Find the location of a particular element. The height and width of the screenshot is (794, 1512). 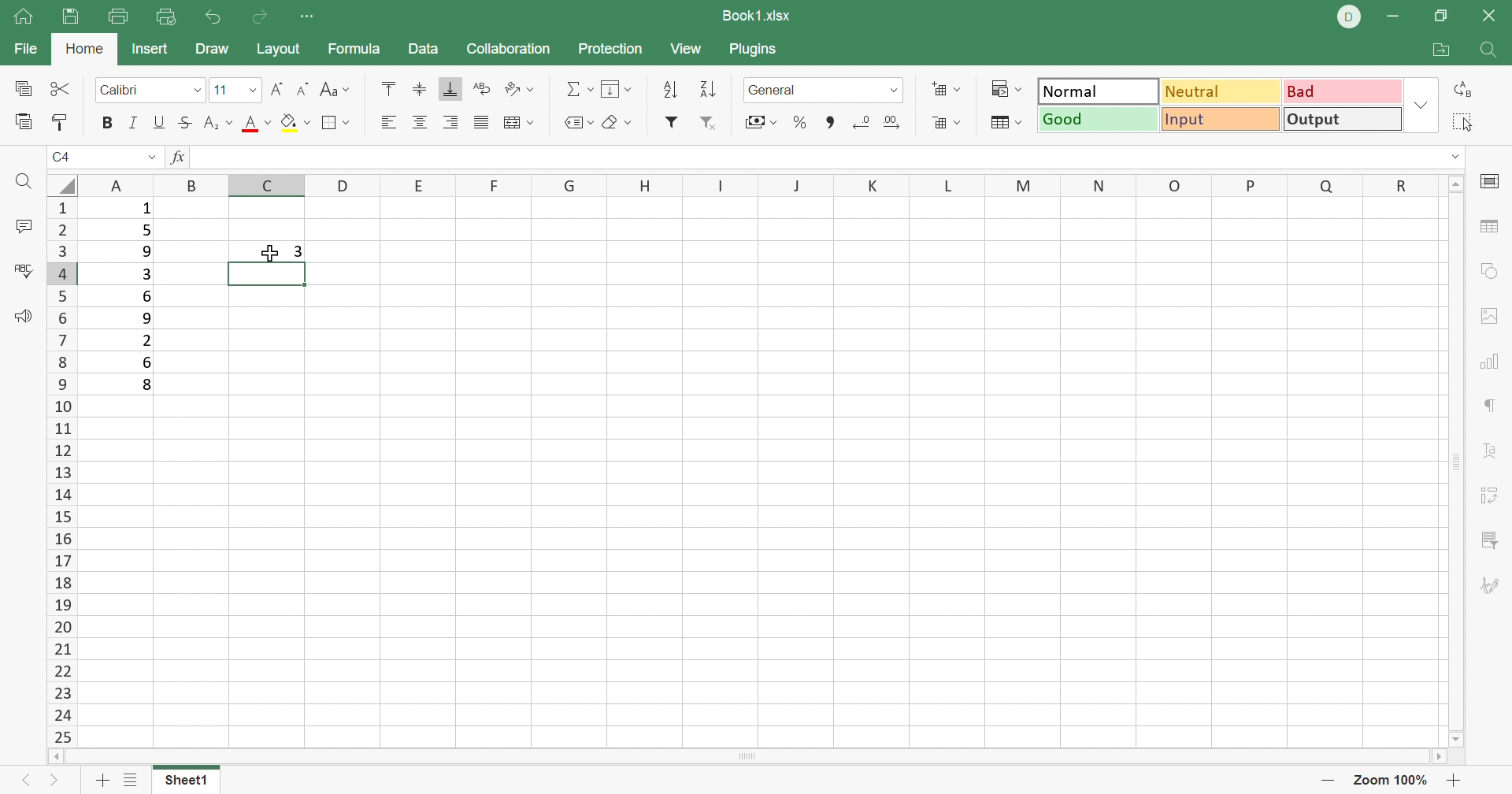

Output is located at coordinates (1341, 118).